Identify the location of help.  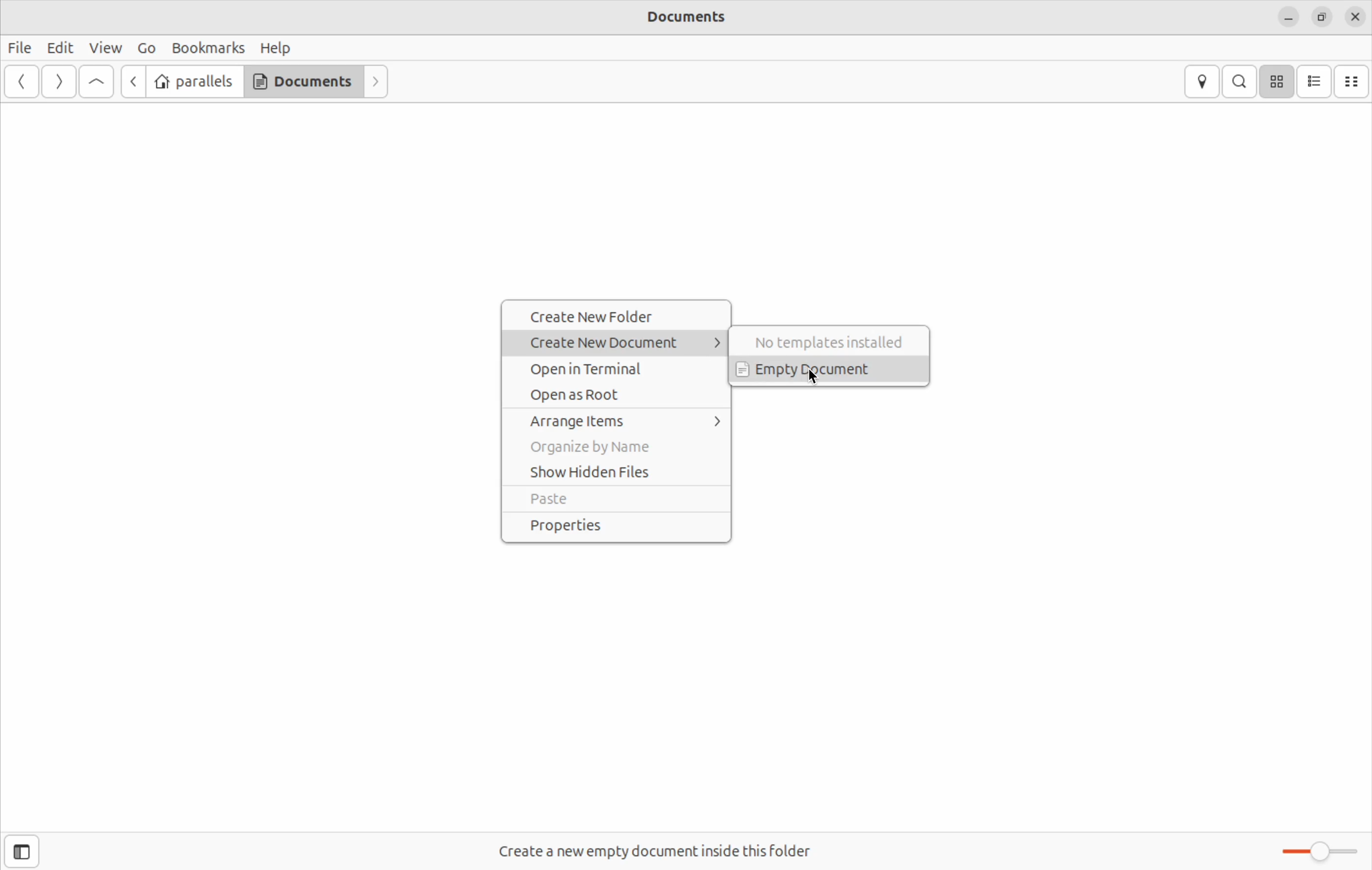
(276, 47).